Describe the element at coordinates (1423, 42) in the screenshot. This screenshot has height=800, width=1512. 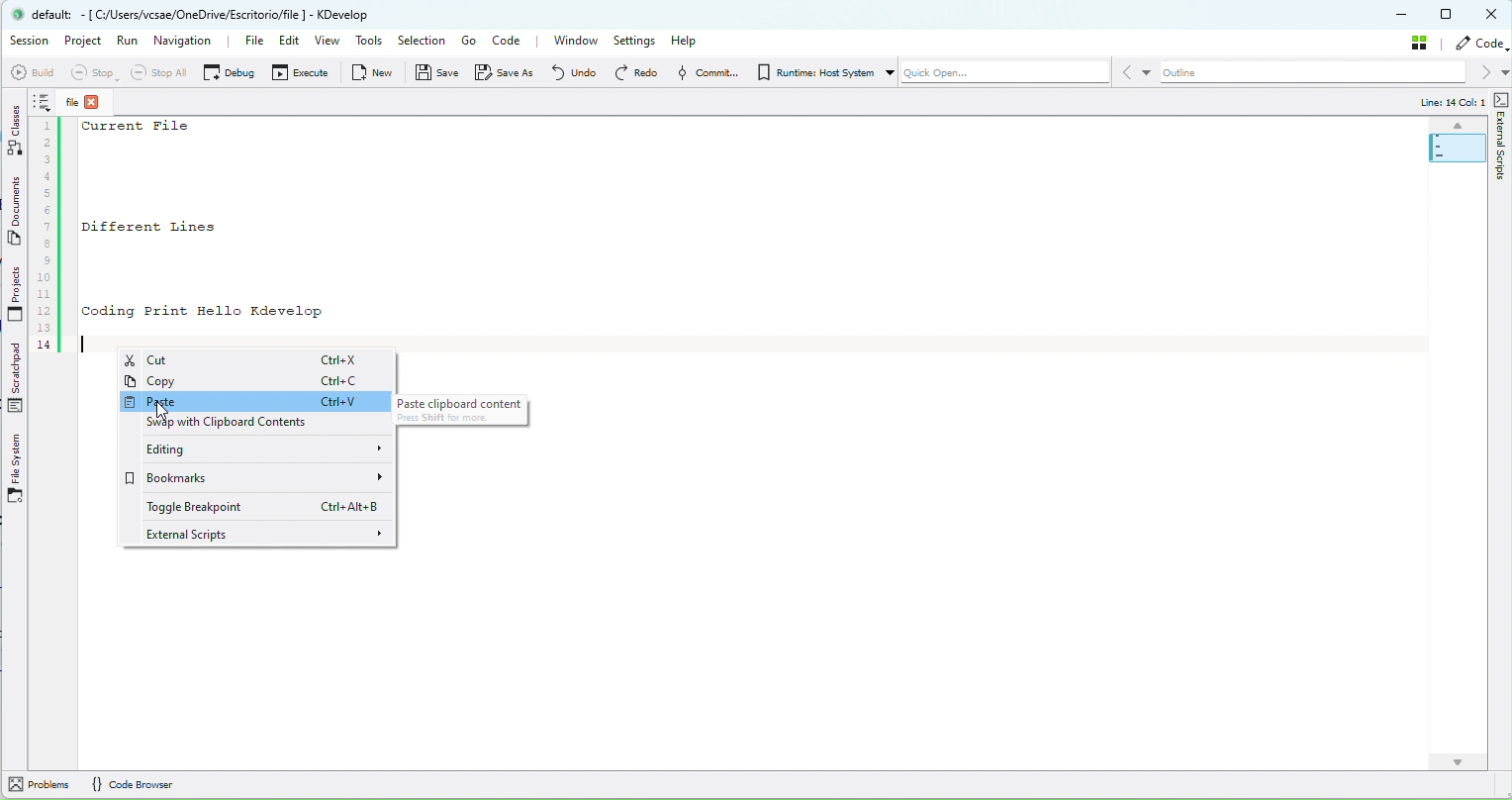
I see `stash` at that location.